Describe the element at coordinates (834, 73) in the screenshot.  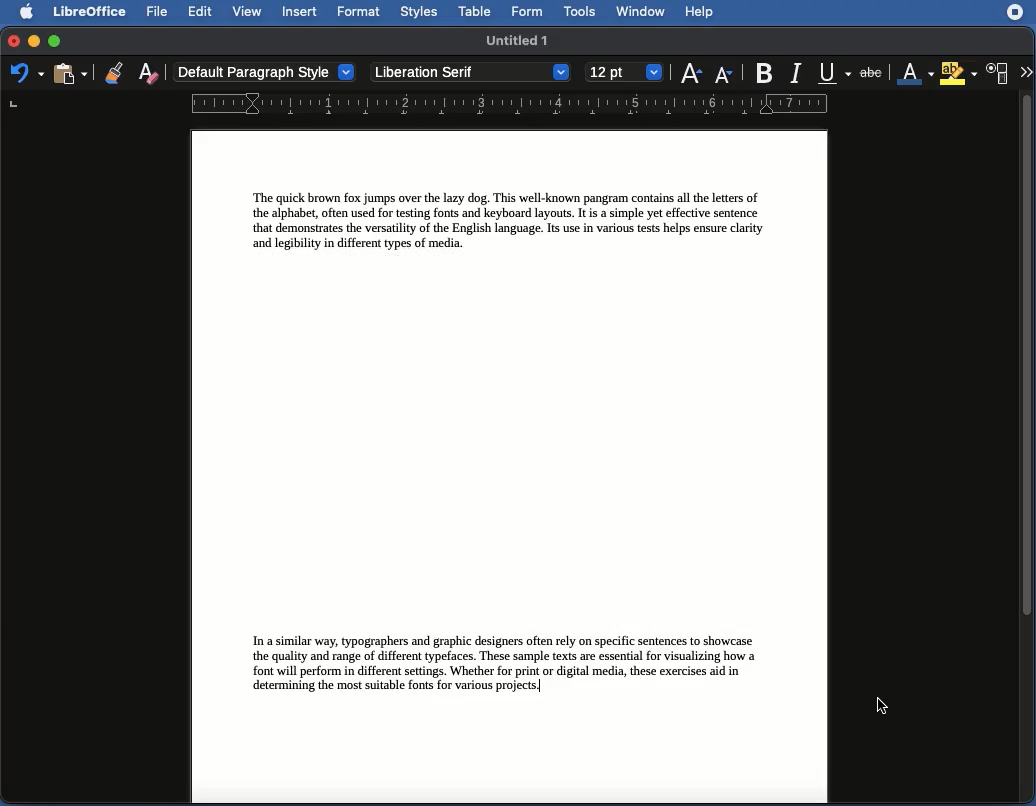
I see `Underline` at that location.